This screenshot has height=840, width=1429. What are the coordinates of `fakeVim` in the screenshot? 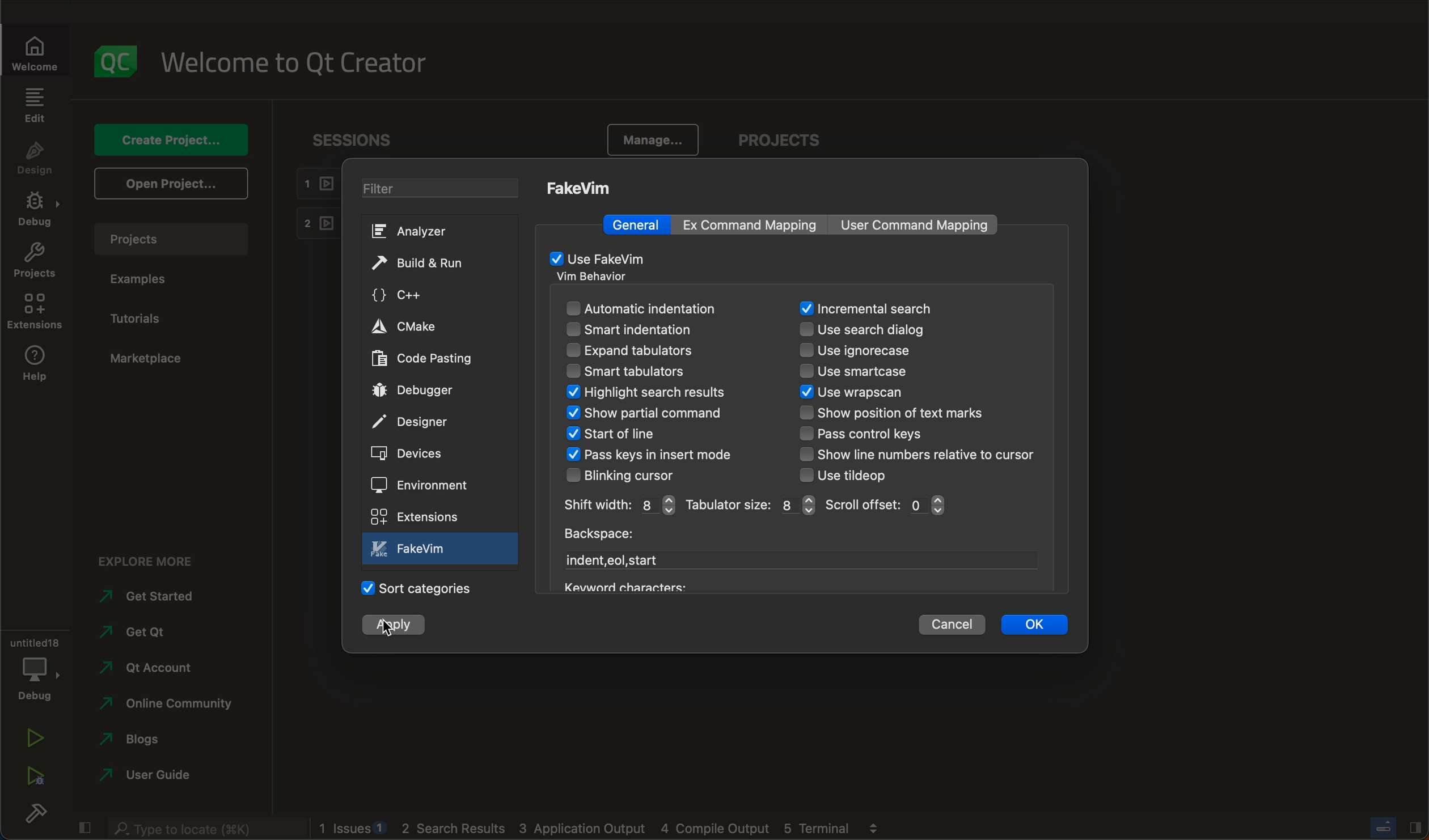 It's located at (582, 188).